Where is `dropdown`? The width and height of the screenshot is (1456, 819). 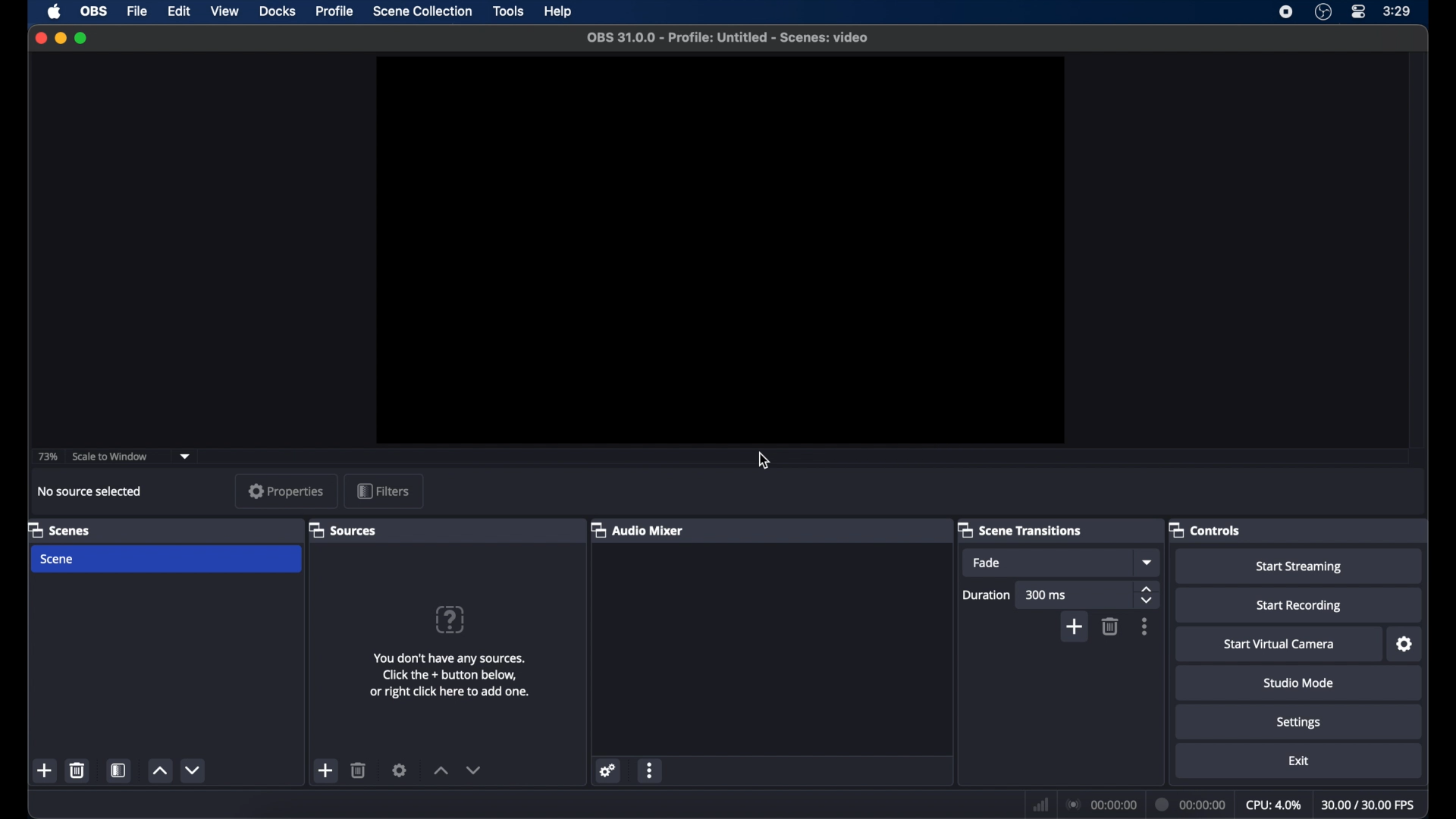 dropdown is located at coordinates (186, 455).